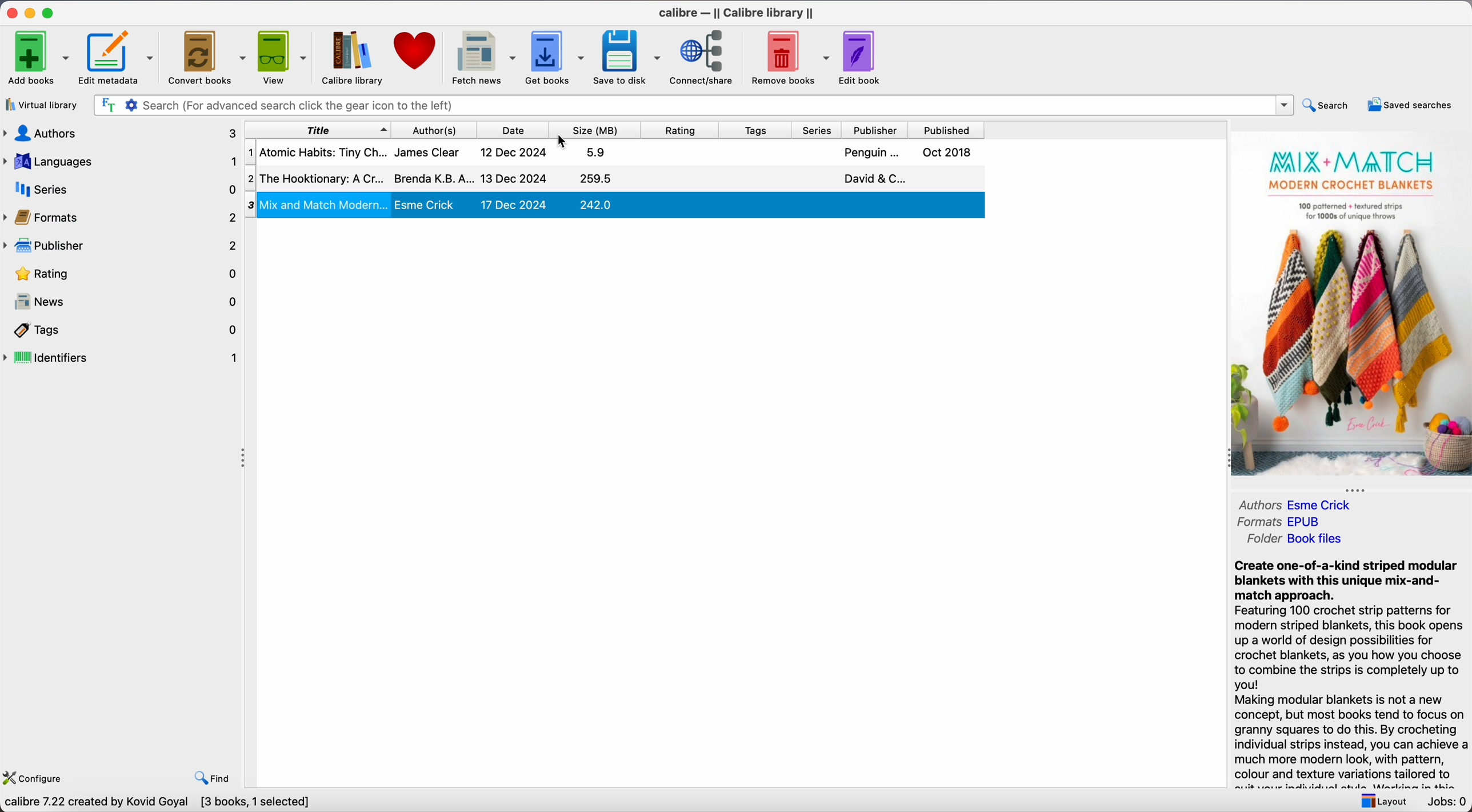 The height and width of the screenshot is (812, 1472). I want to click on convert books, so click(207, 56).